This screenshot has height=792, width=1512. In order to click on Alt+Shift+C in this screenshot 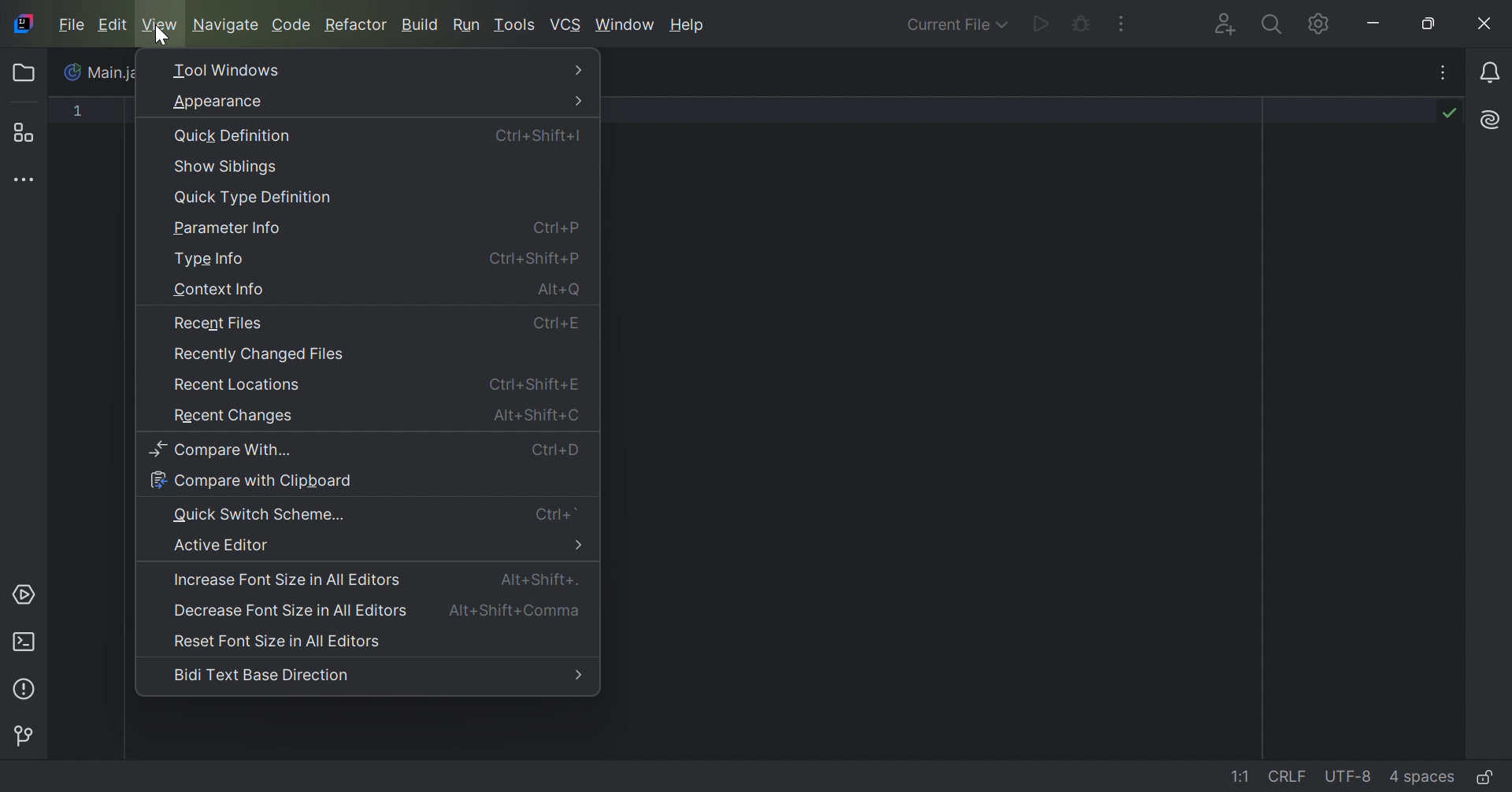, I will do `click(537, 414)`.